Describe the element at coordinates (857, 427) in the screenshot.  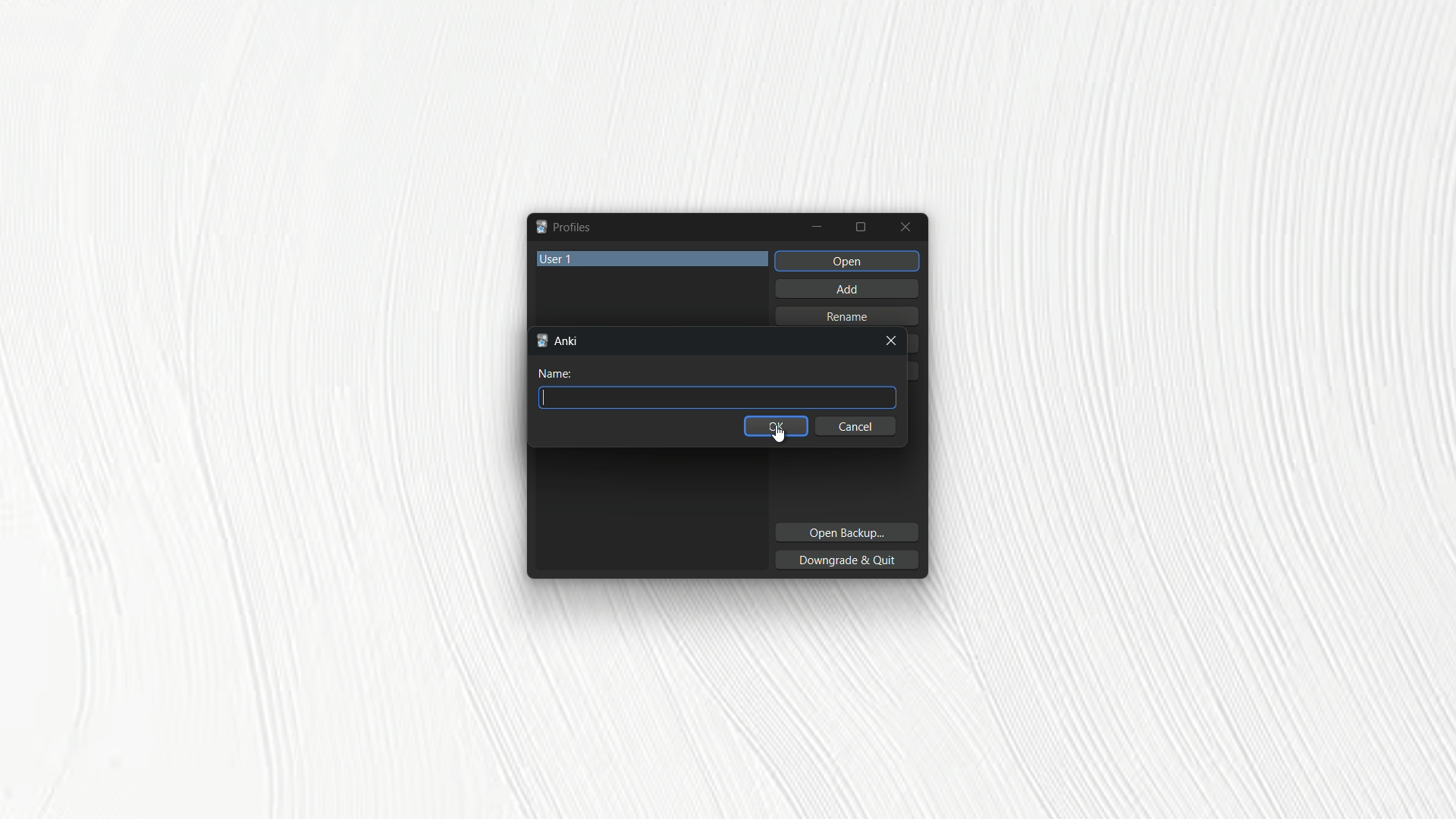
I see `Cancel` at that location.